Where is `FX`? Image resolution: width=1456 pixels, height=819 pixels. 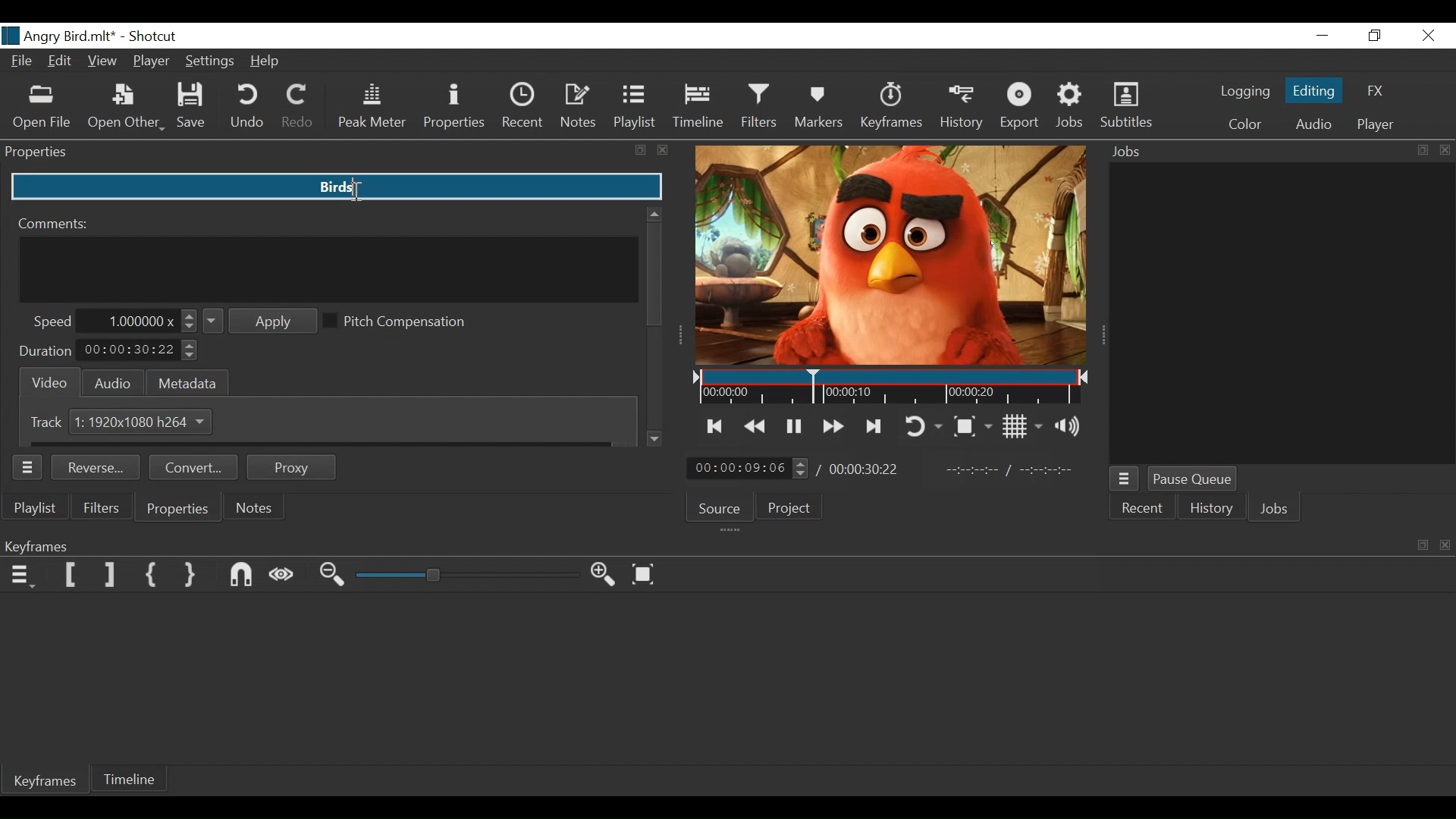 FX is located at coordinates (1376, 90).